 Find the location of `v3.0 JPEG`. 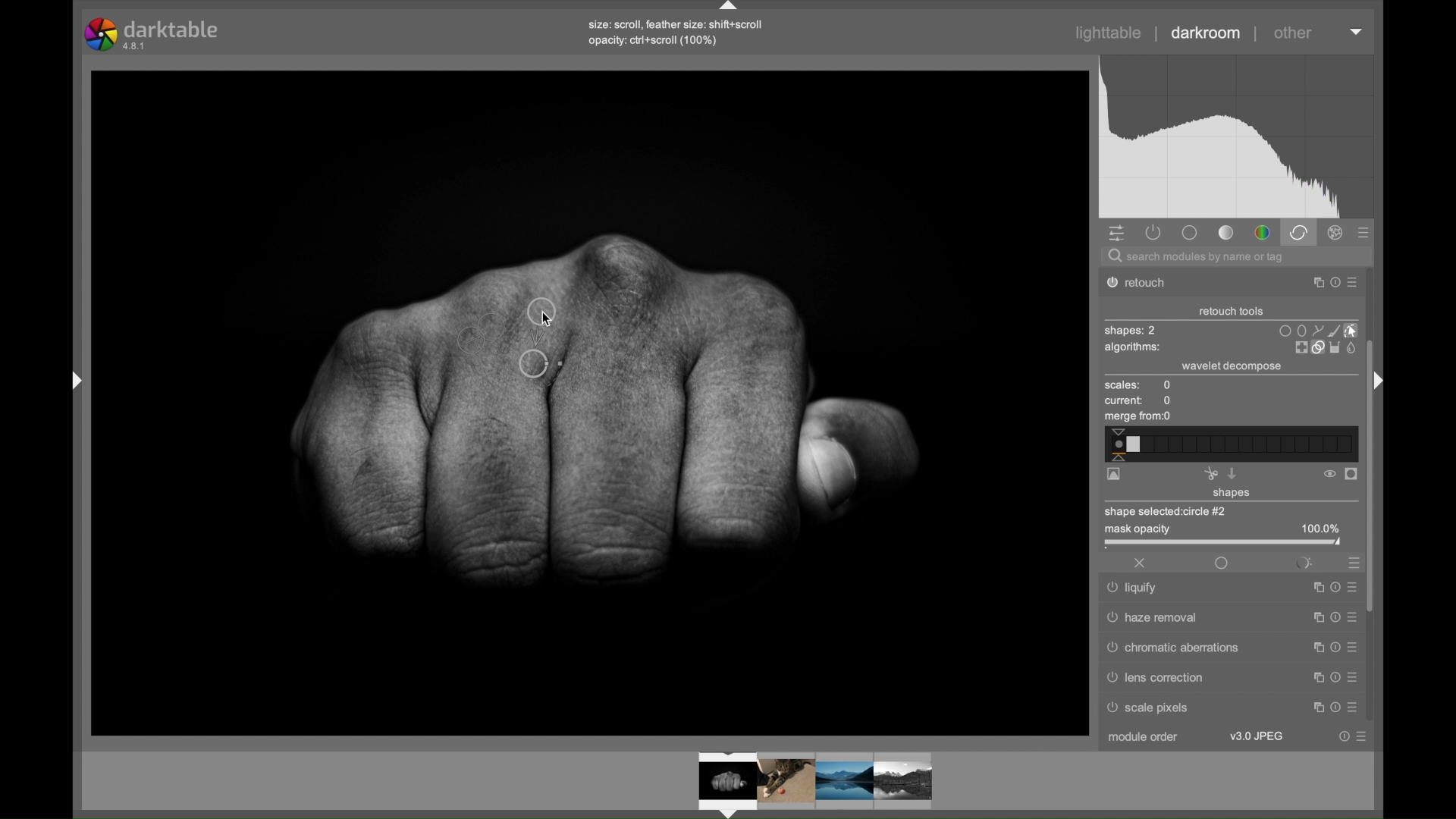

v3.0 JPEG is located at coordinates (1257, 736).